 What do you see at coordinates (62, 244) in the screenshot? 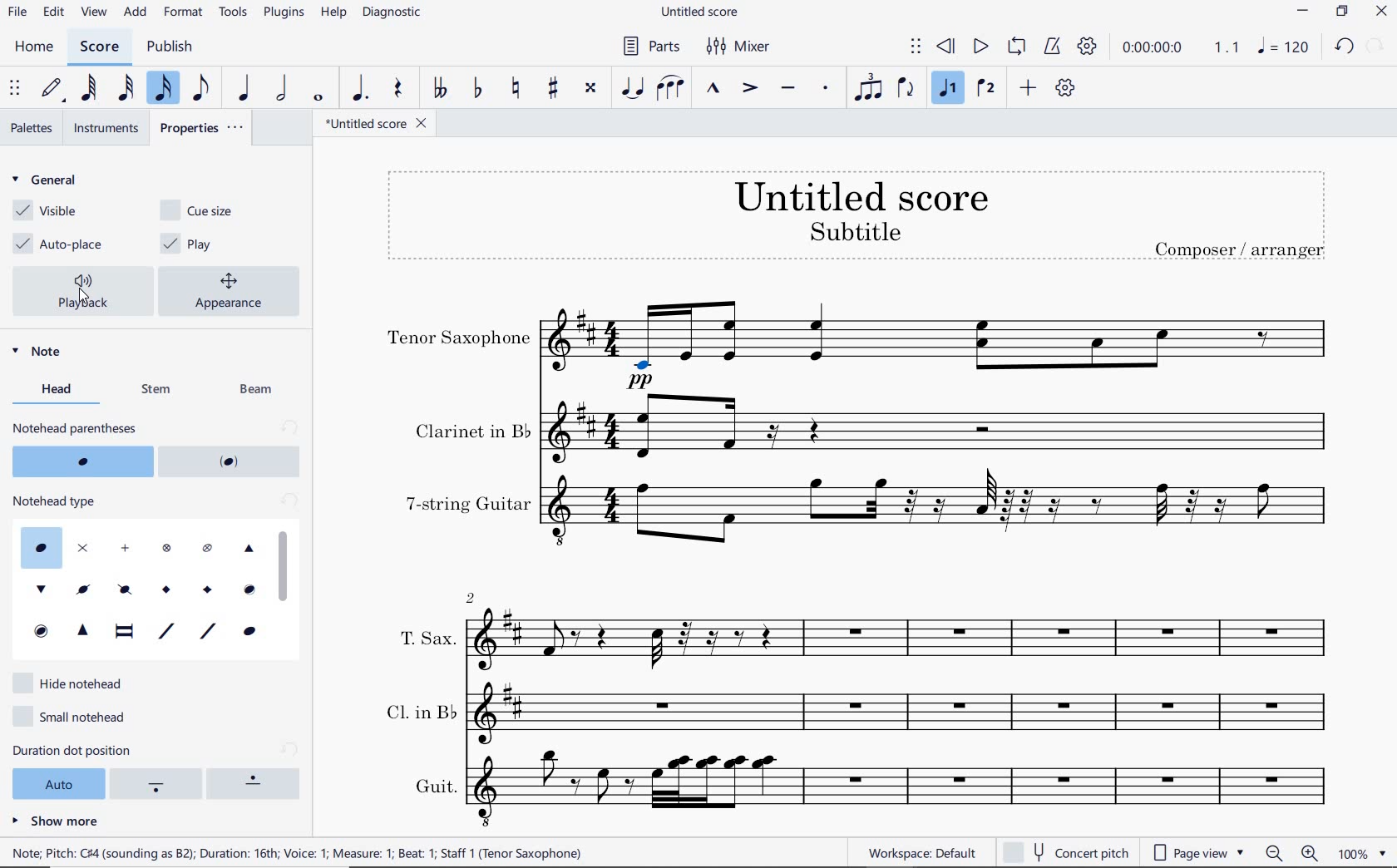
I see `auto-place` at bounding box center [62, 244].